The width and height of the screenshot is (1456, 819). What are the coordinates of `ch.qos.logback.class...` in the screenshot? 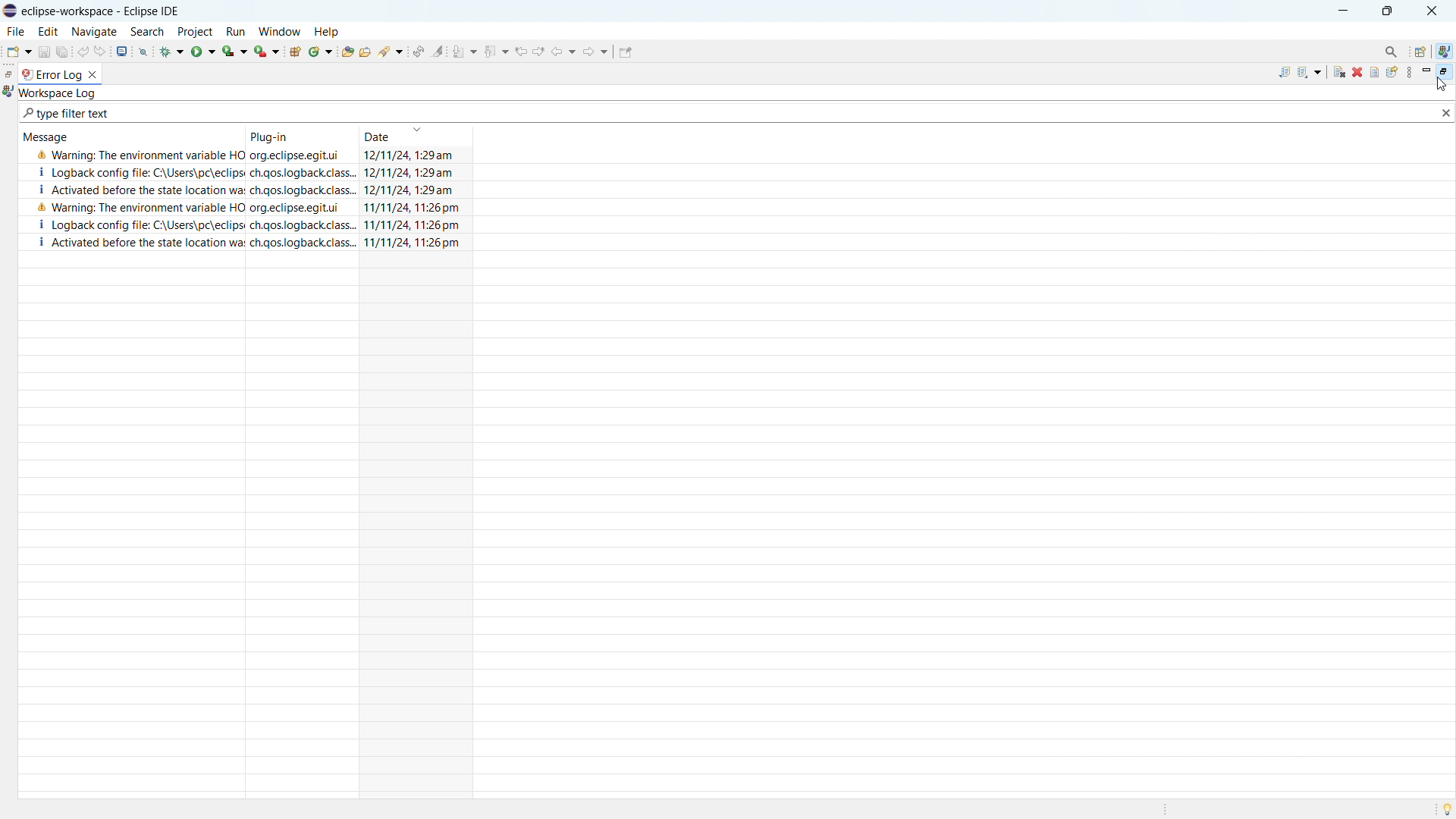 It's located at (300, 190).